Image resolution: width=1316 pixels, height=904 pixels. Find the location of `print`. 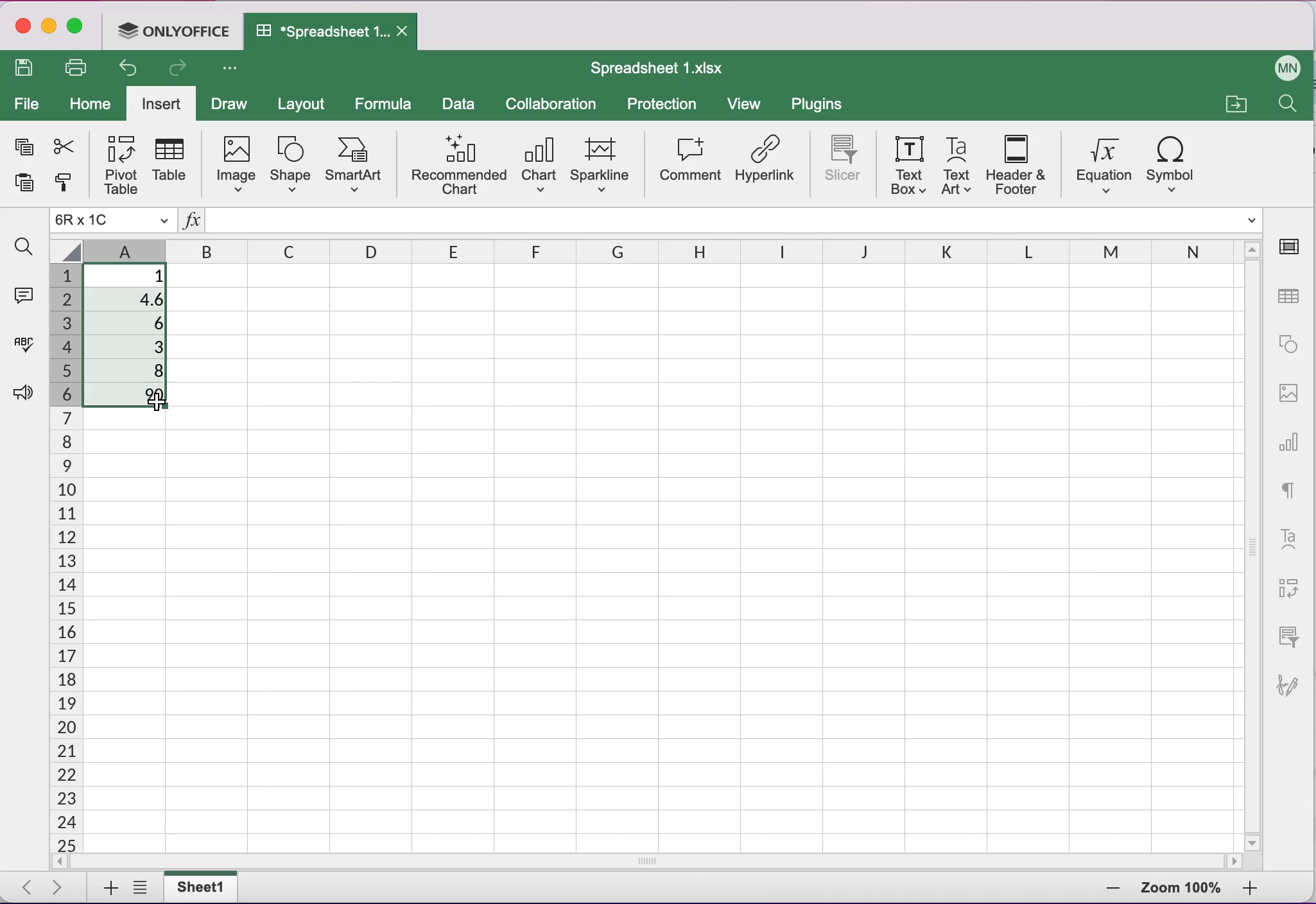

print is located at coordinates (77, 69).